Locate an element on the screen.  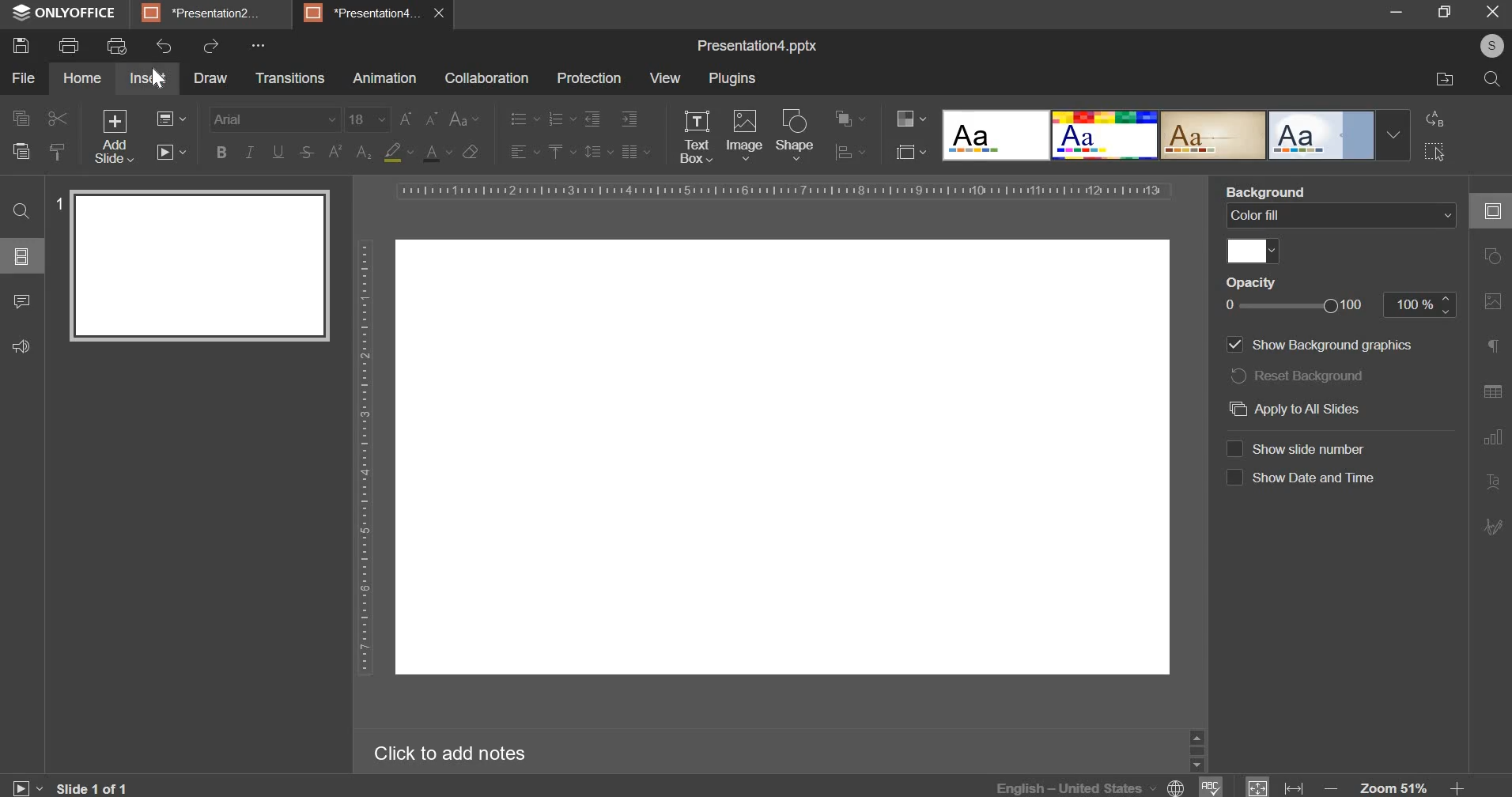
draw is located at coordinates (210, 78).